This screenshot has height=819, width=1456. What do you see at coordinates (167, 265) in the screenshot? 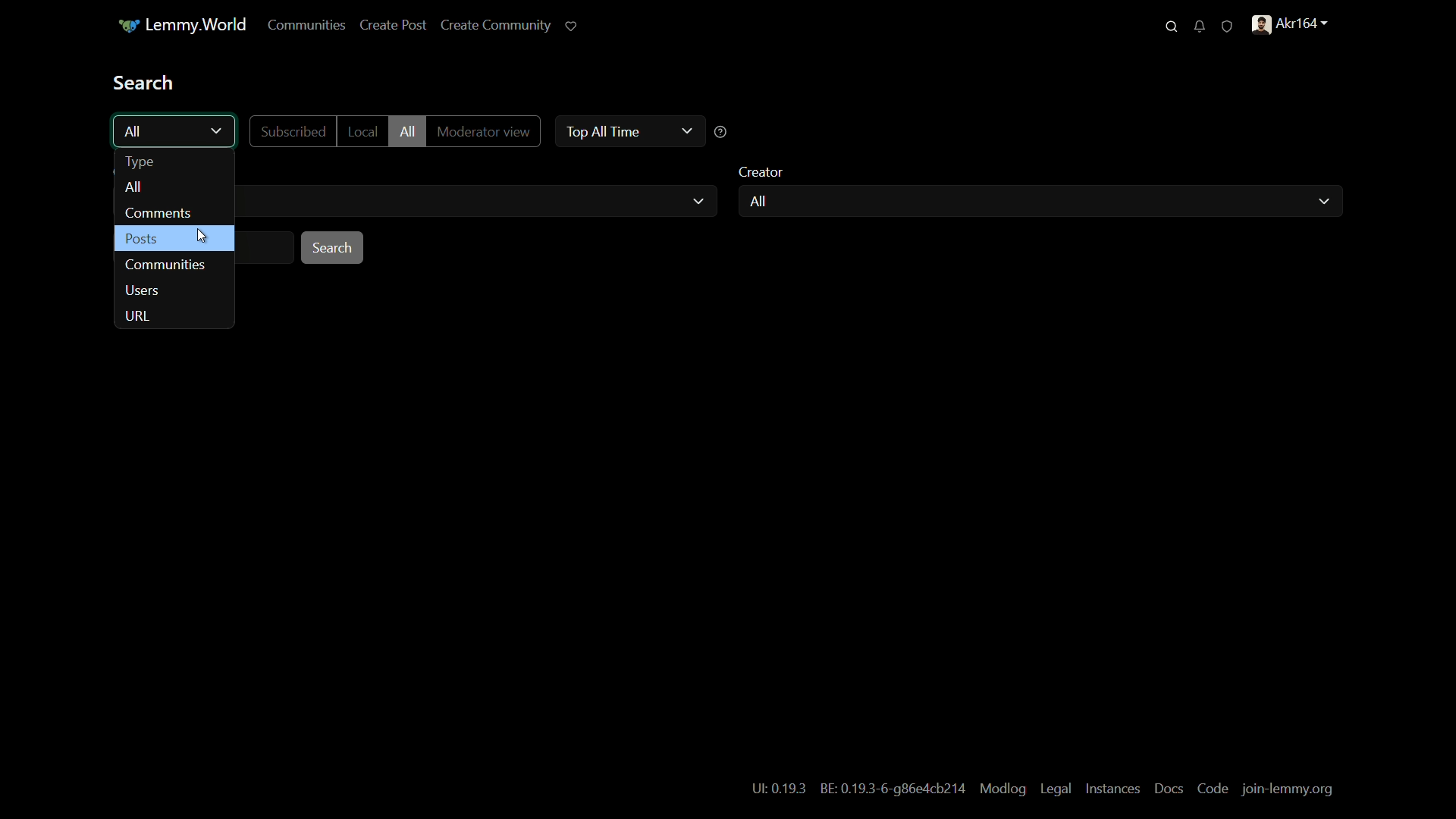
I see `communities` at bounding box center [167, 265].